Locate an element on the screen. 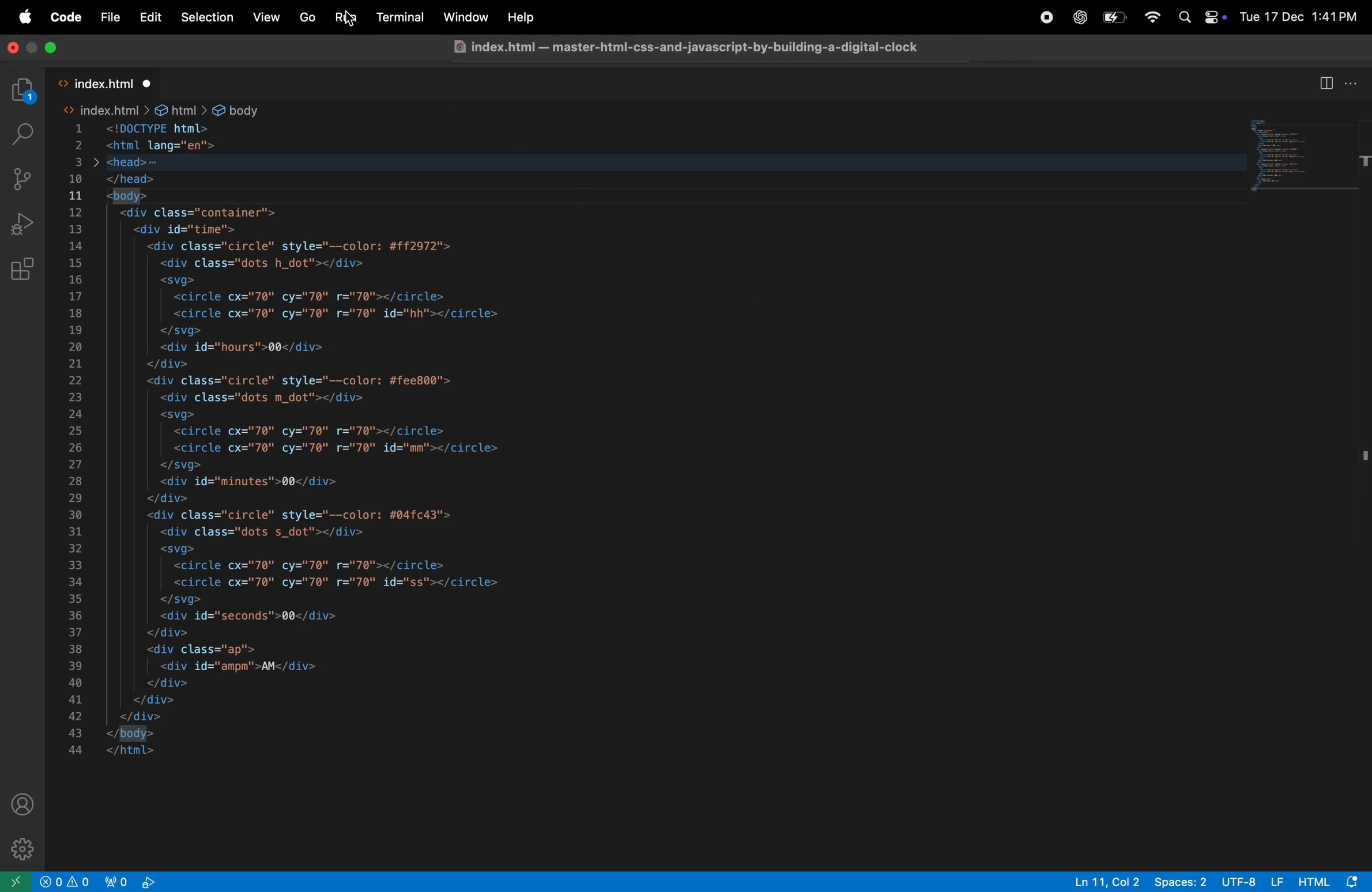  close is located at coordinates (11, 50).